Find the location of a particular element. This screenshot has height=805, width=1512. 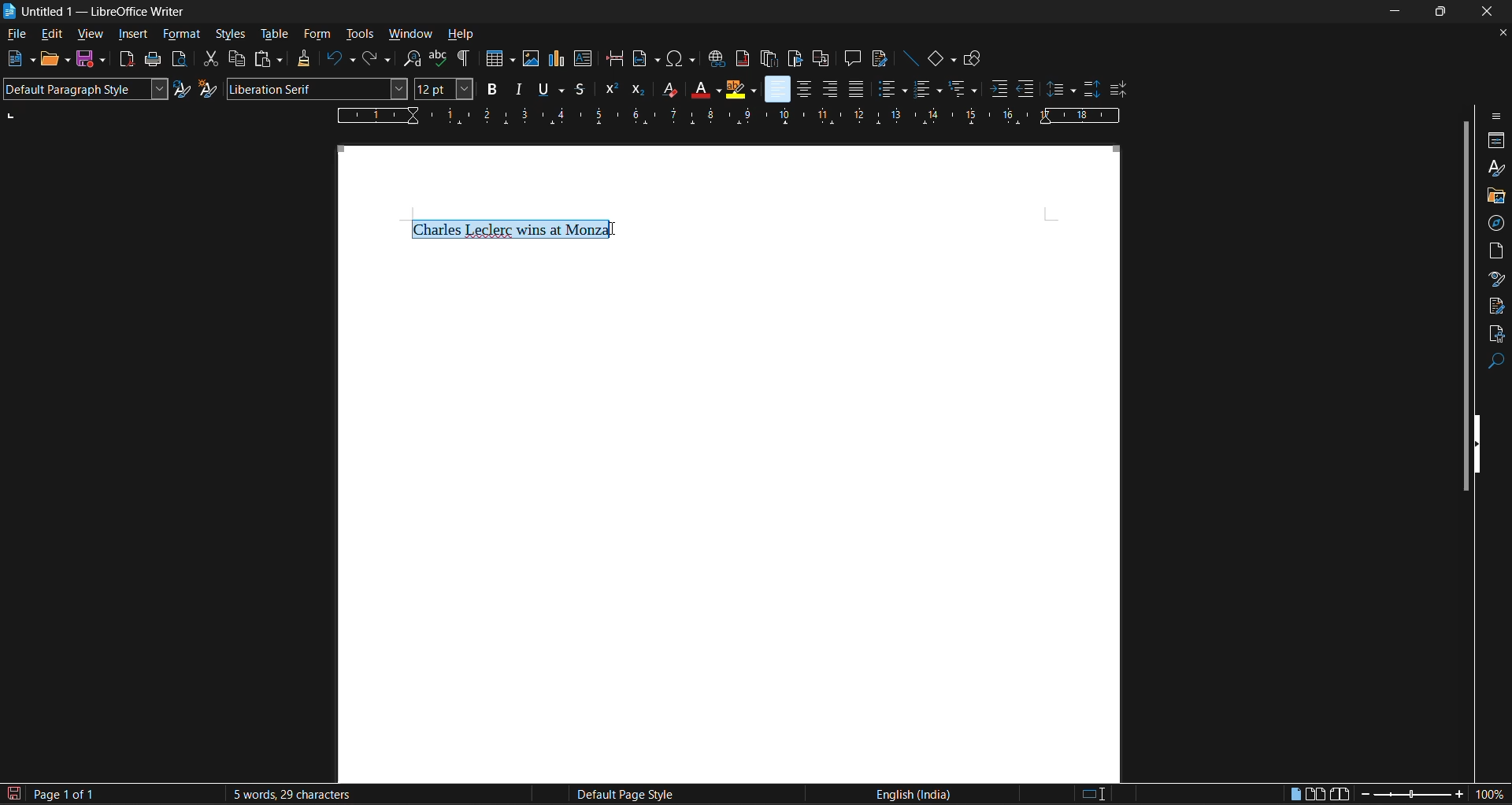

insert is located at coordinates (132, 35).